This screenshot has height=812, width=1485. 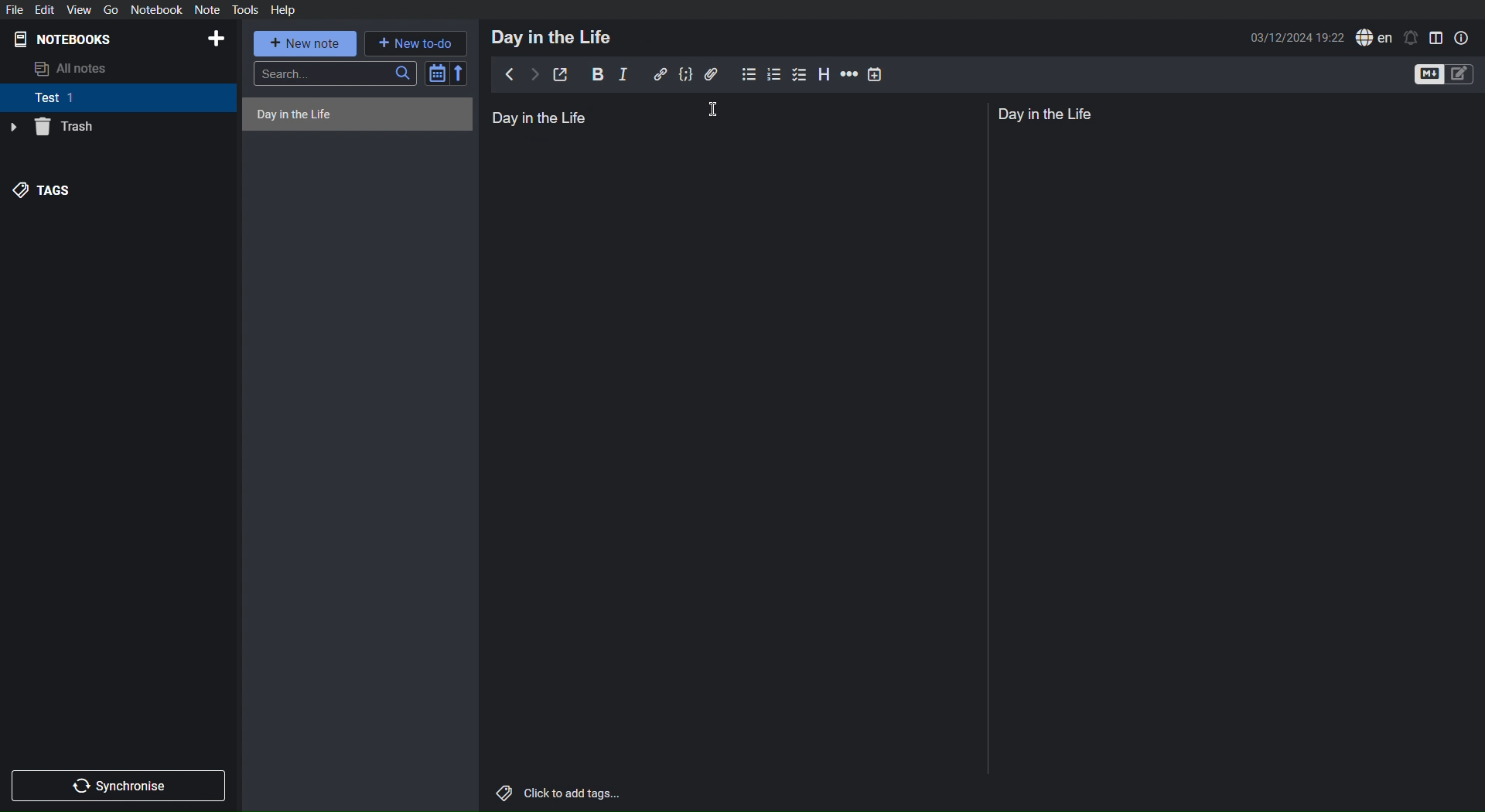 What do you see at coordinates (598, 73) in the screenshot?
I see `Bold` at bounding box center [598, 73].